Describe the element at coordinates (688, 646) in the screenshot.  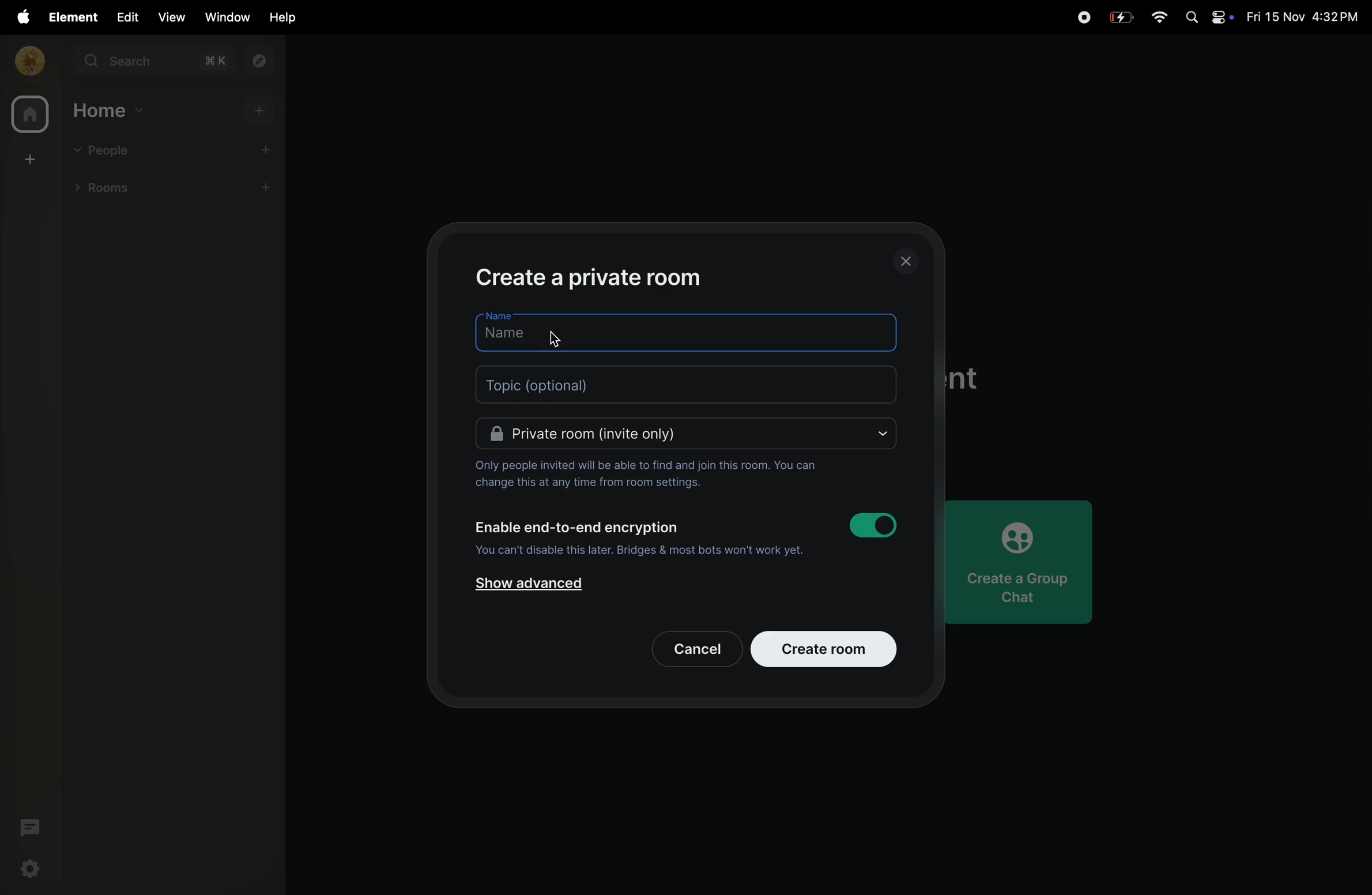
I see `cancel` at that location.